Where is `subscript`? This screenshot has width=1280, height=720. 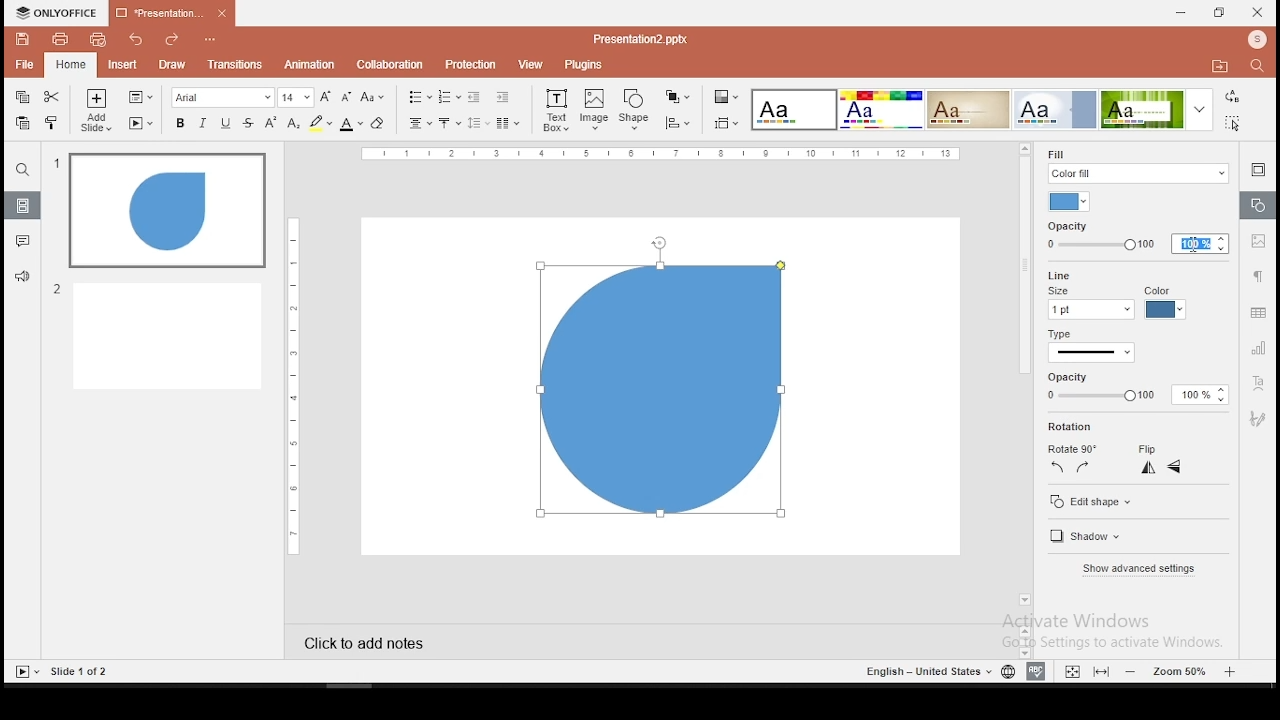
subscript is located at coordinates (294, 123).